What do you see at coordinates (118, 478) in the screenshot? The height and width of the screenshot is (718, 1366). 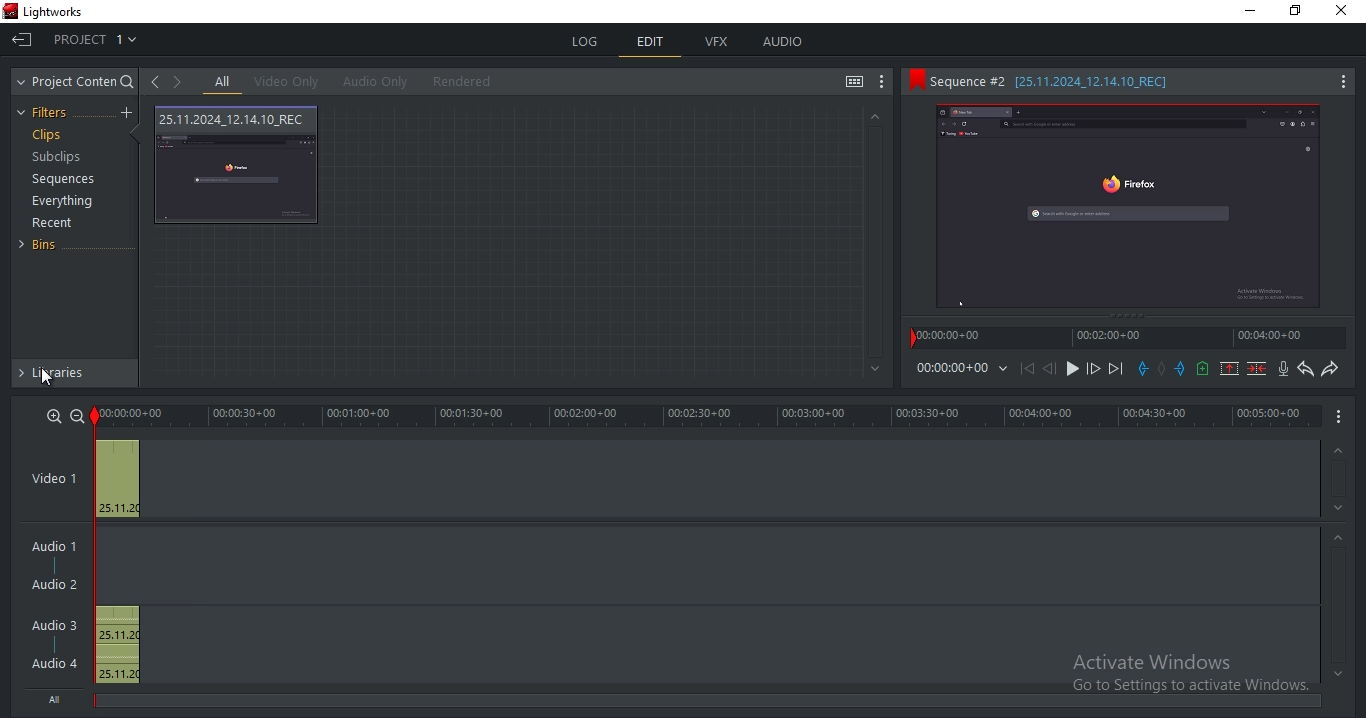 I see `video` at bounding box center [118, 478].